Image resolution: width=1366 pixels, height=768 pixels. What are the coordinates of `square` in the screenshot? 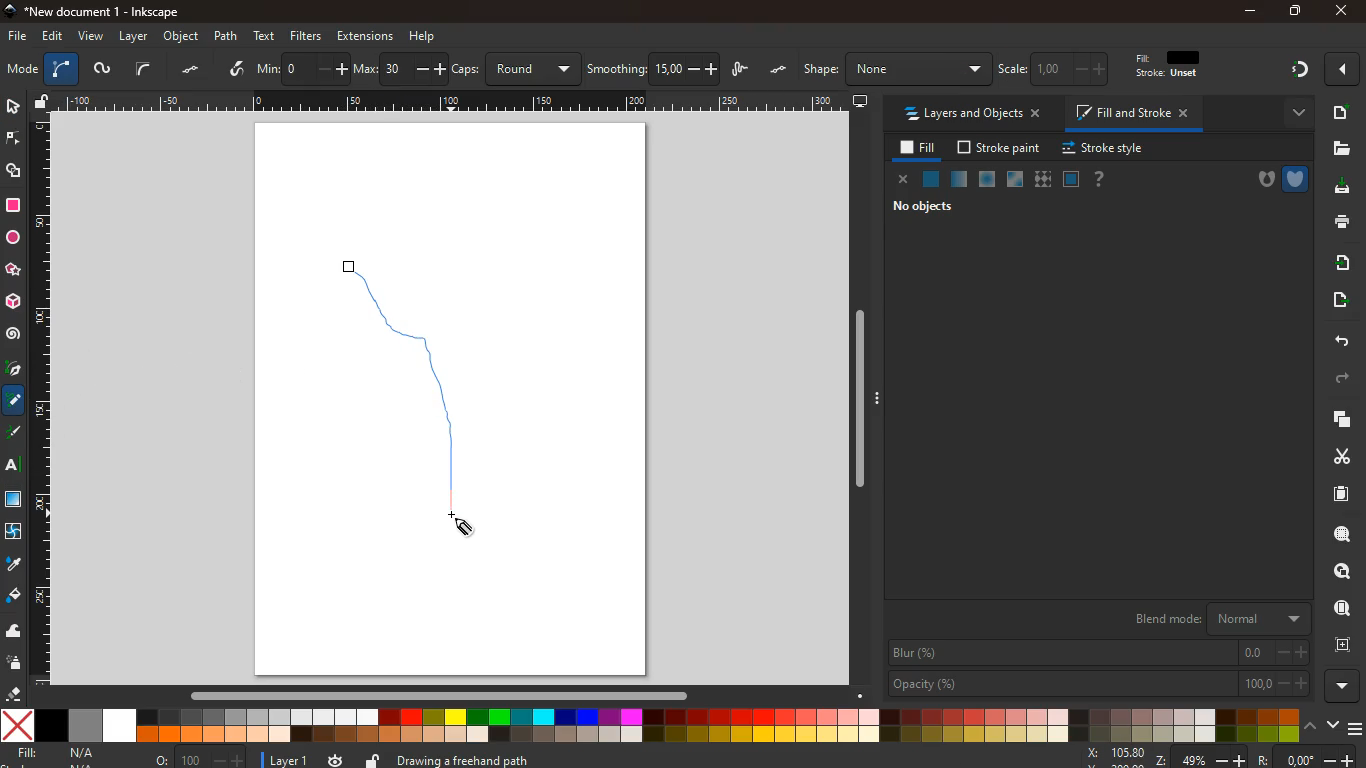 It's located at (13, 204).